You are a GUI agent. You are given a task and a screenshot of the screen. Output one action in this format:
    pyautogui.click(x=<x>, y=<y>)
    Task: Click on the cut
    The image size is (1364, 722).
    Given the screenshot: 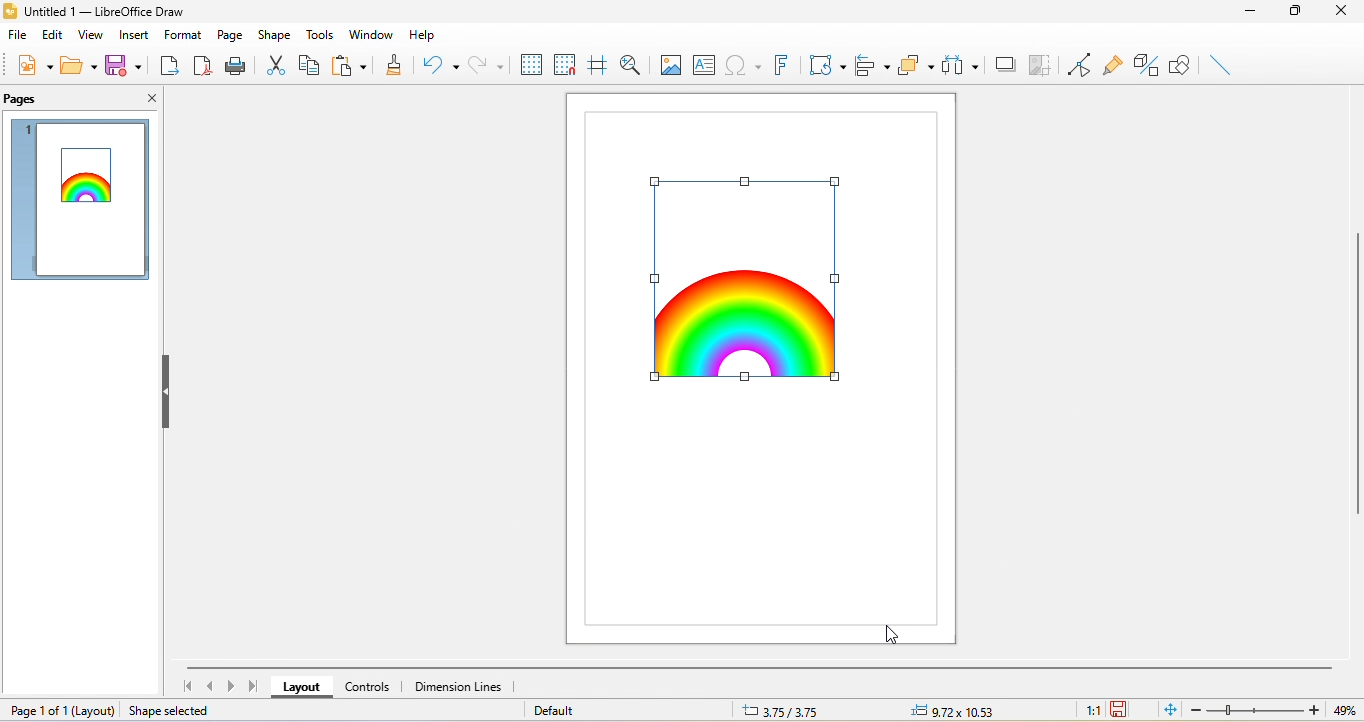 What is the action you would take?
    pyautogui.click(x=277, y=63)
    